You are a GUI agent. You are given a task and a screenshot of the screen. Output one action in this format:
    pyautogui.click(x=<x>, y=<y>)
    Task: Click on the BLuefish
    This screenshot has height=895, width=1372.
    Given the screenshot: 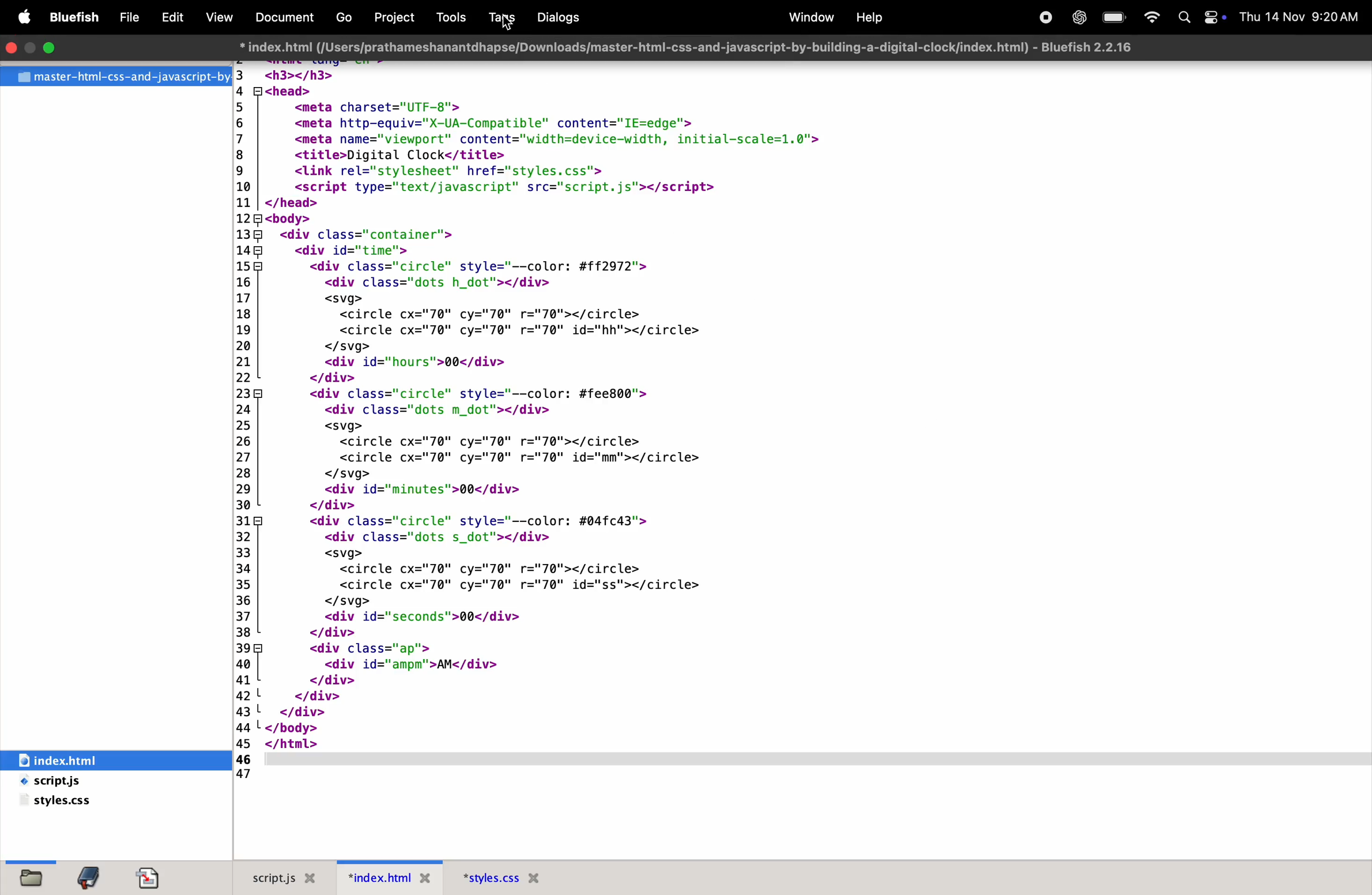 What is the action you would take?
    pyautogui.click(x=77, y=16)
    